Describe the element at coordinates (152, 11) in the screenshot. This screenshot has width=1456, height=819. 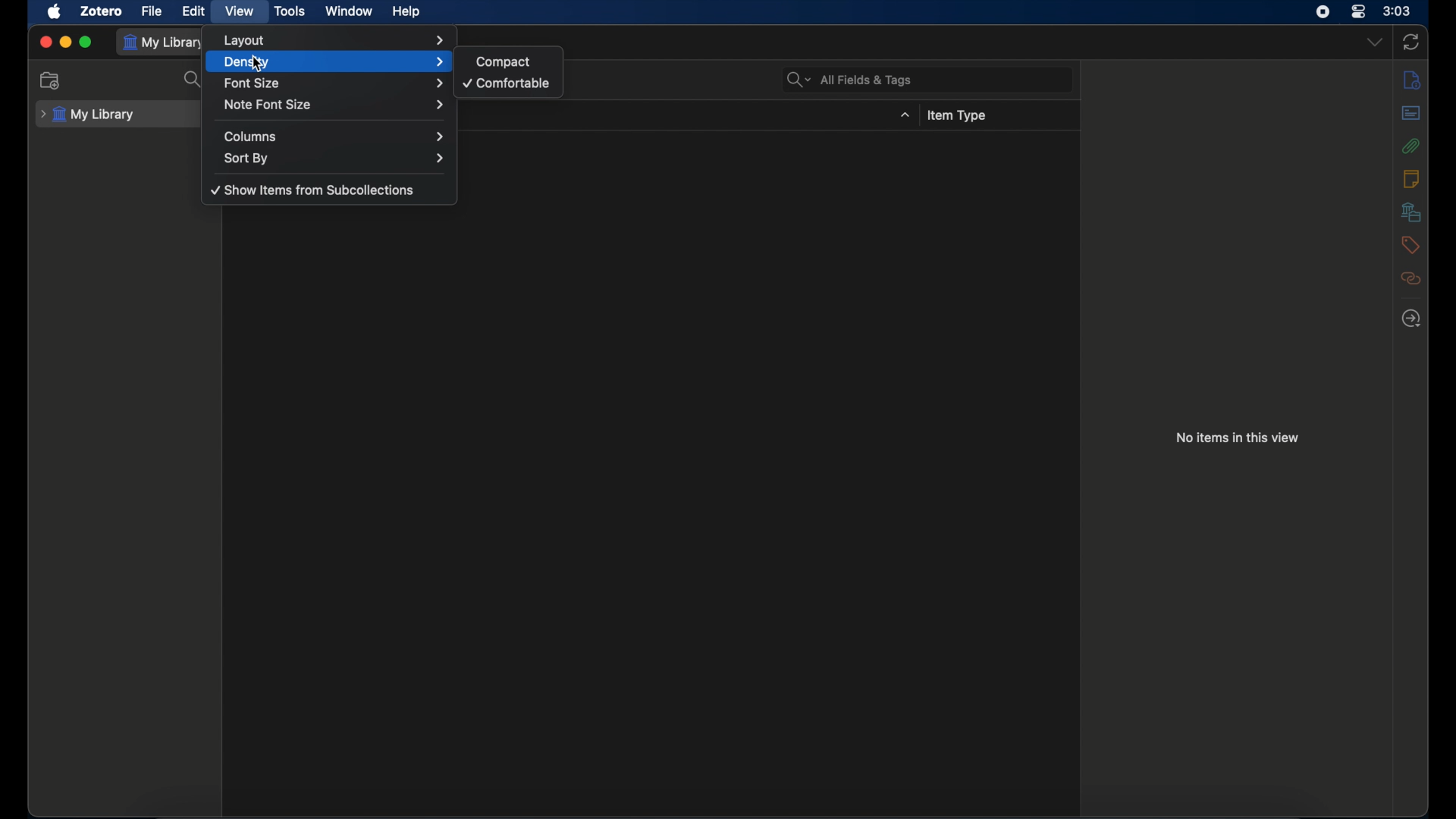
I see `file` at that location.